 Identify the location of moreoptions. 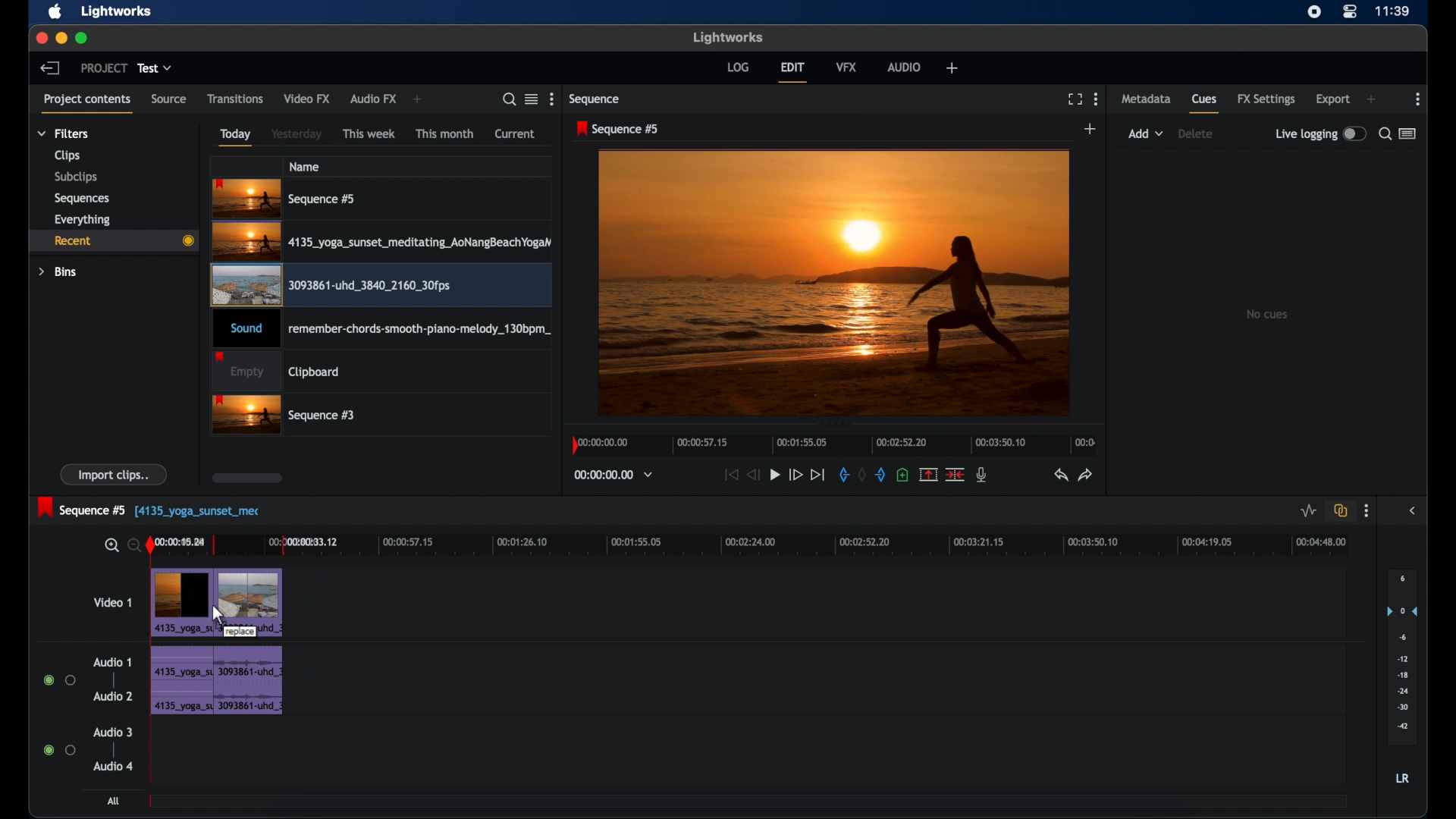
(1418, 99).